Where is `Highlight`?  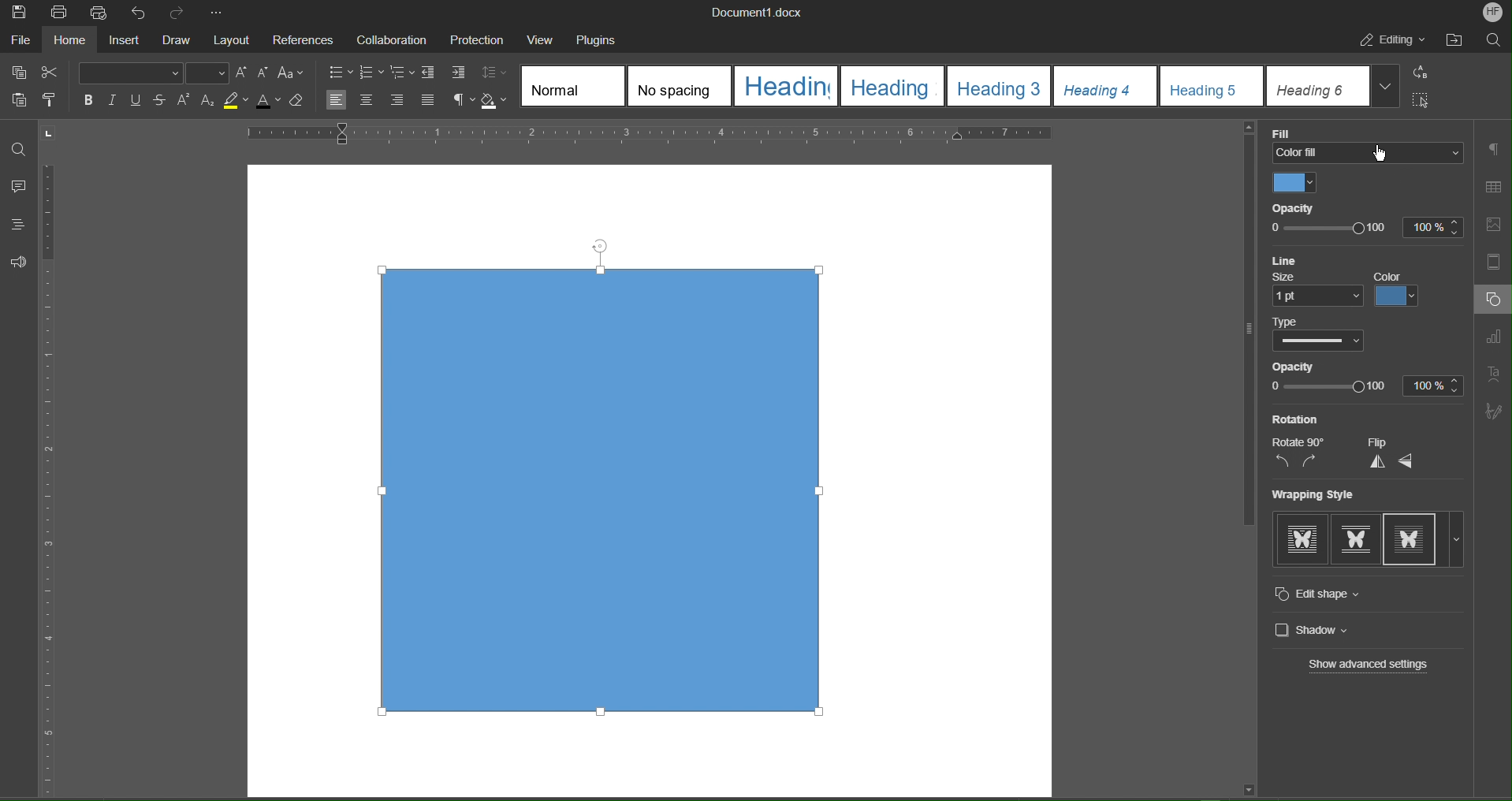 Highlight is located at coordinates (236, 102).